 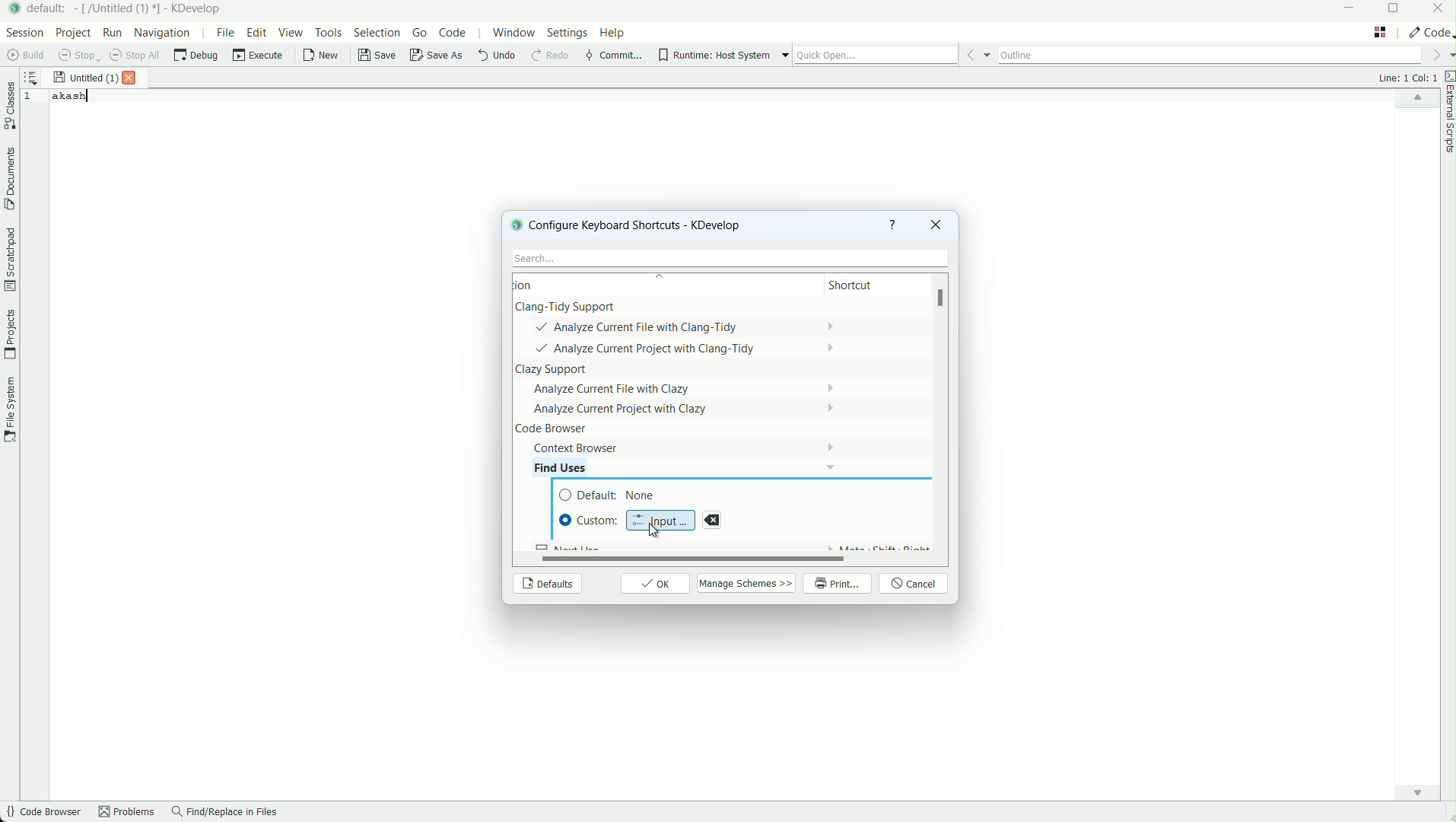 What do you see at coordinates (31, 75) in the screenshot?
I see `sort the opened documents` at bounding box center [31, 75].